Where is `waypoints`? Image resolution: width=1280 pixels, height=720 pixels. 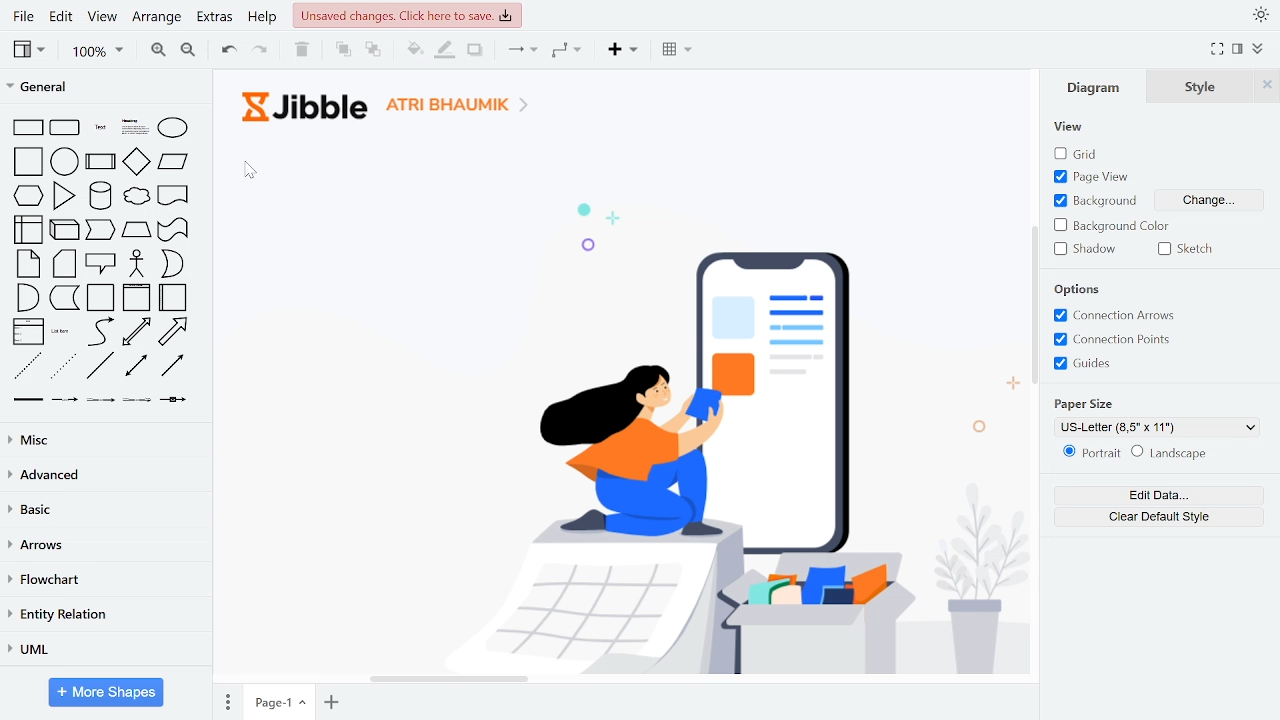
waypoints is located at coordinates (564, 50).